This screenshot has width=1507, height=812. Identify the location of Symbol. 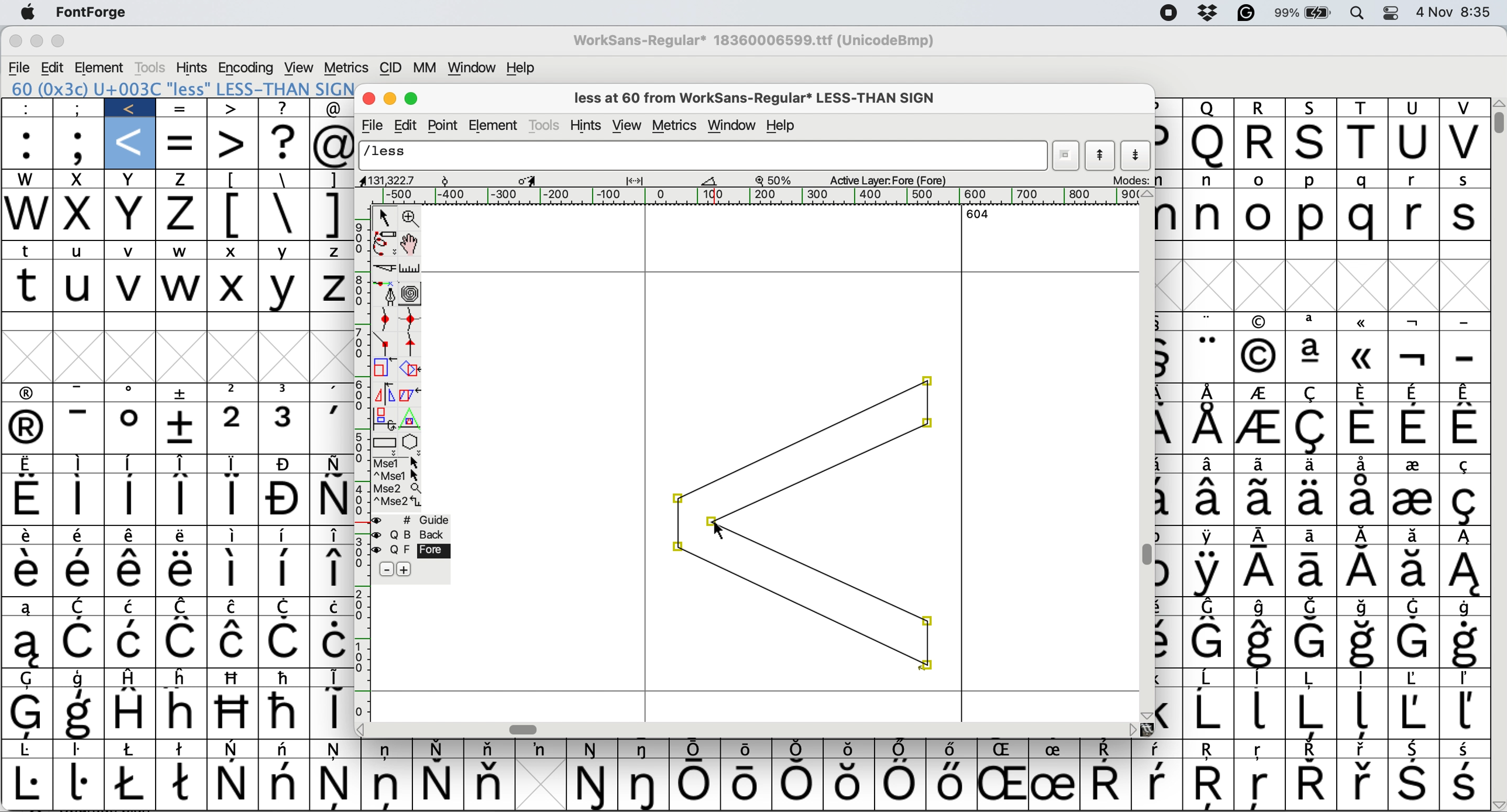
(1054, 783).